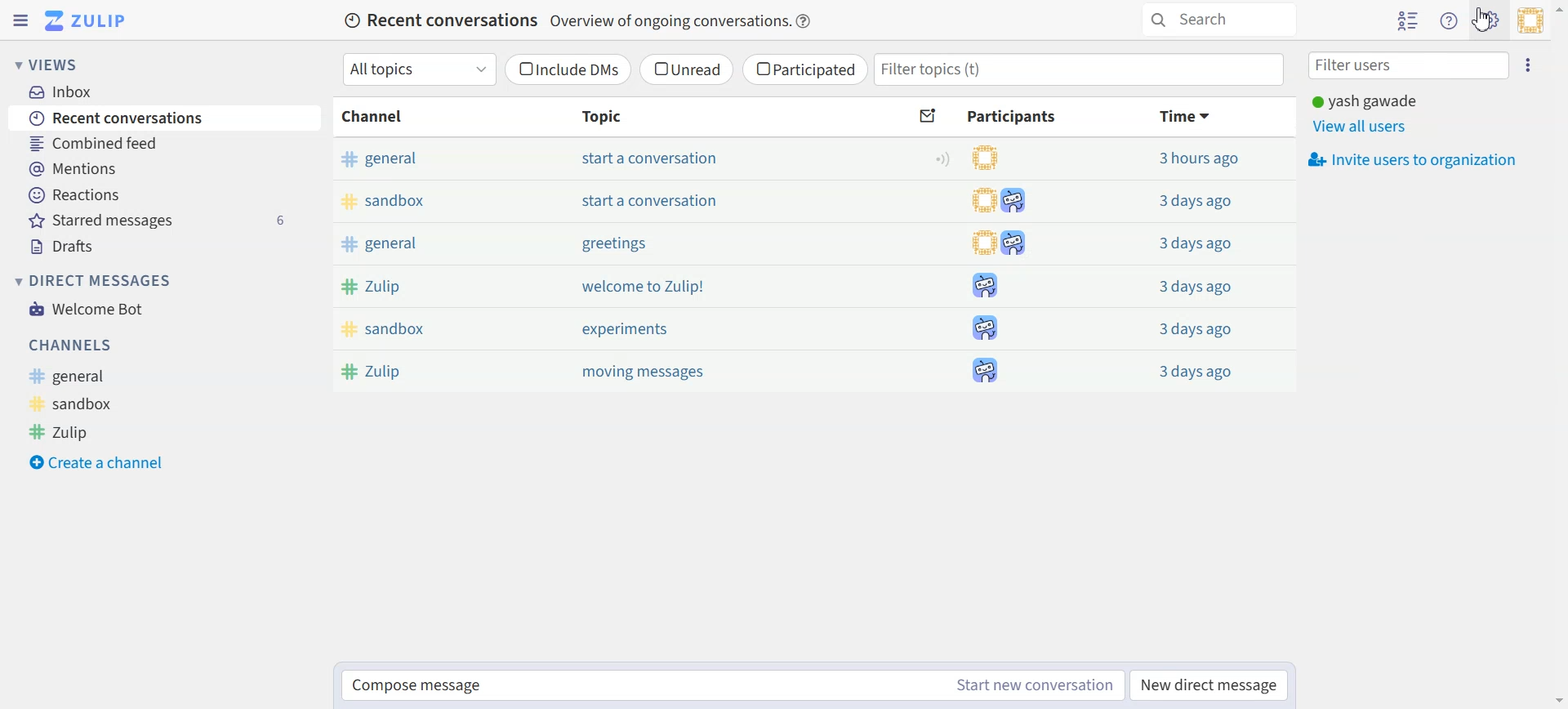 The width and height of the screenshot is (1568, 709). I want to click on 3 hours ago, so click(1200, 158).